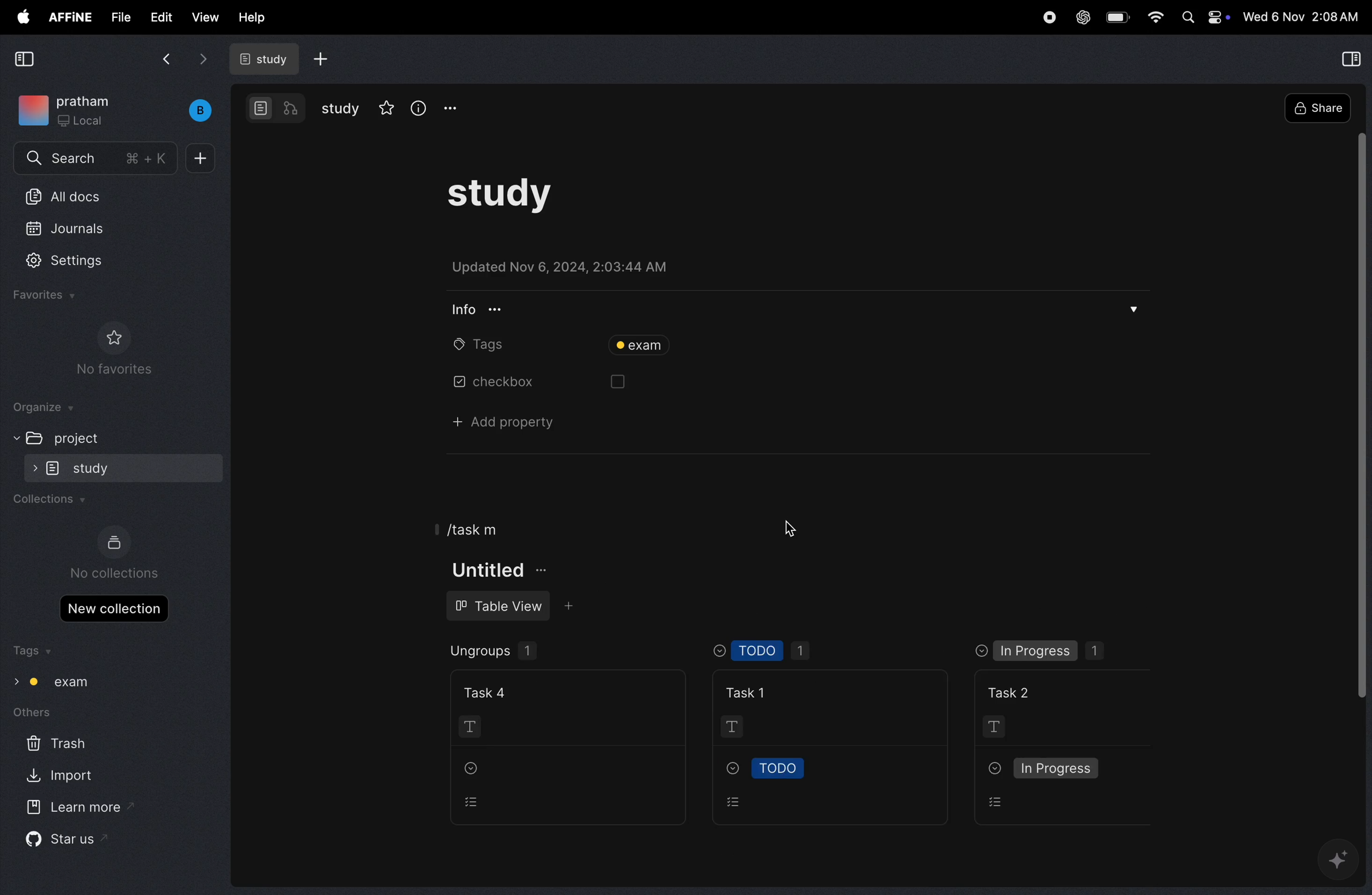 The height and width of the screenshot is (895, 1372). Describe the element at coordinates (476, 767) in the screenshot. I see `drop down` at that location.